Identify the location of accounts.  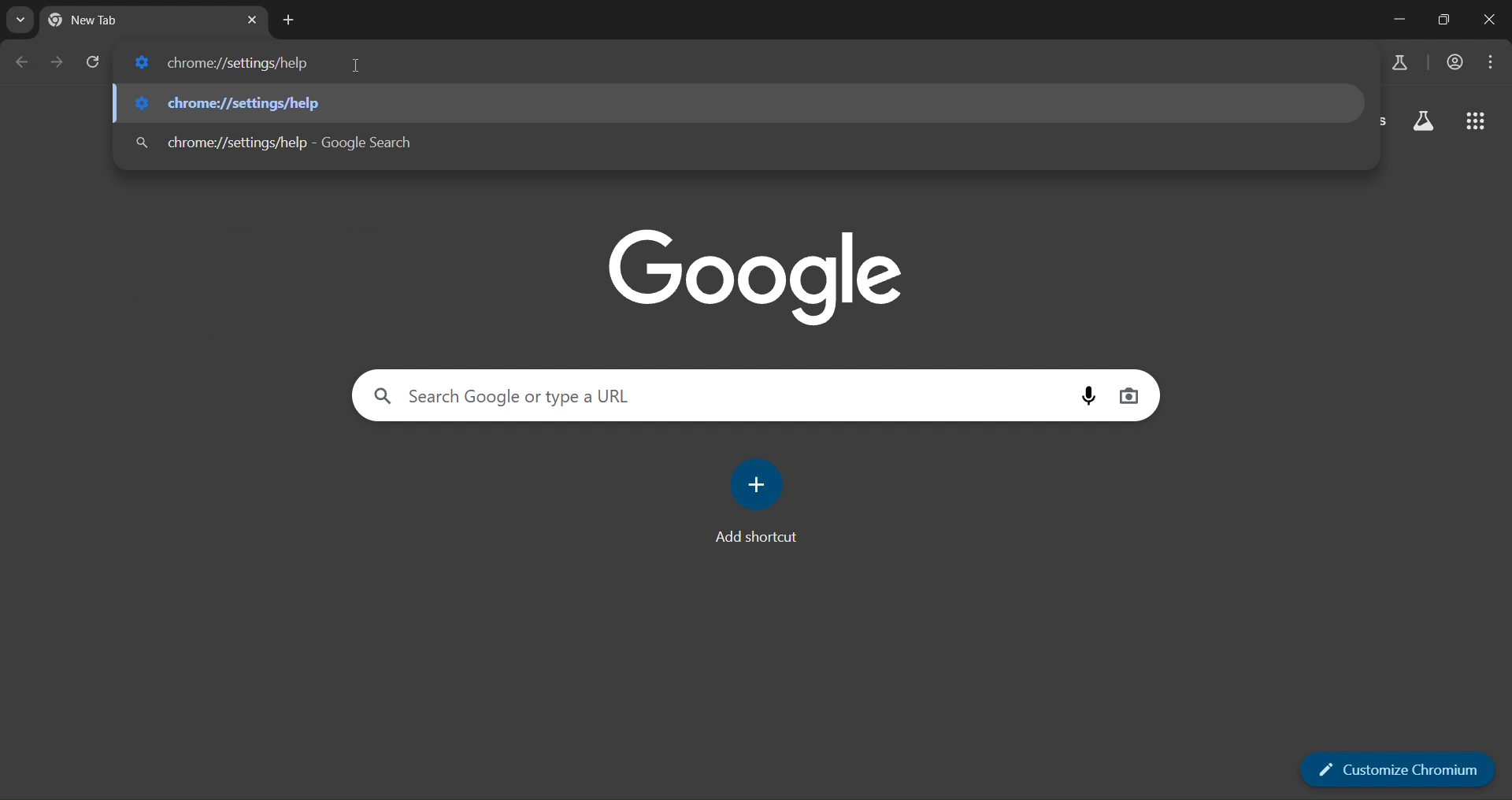
(1455, 61).